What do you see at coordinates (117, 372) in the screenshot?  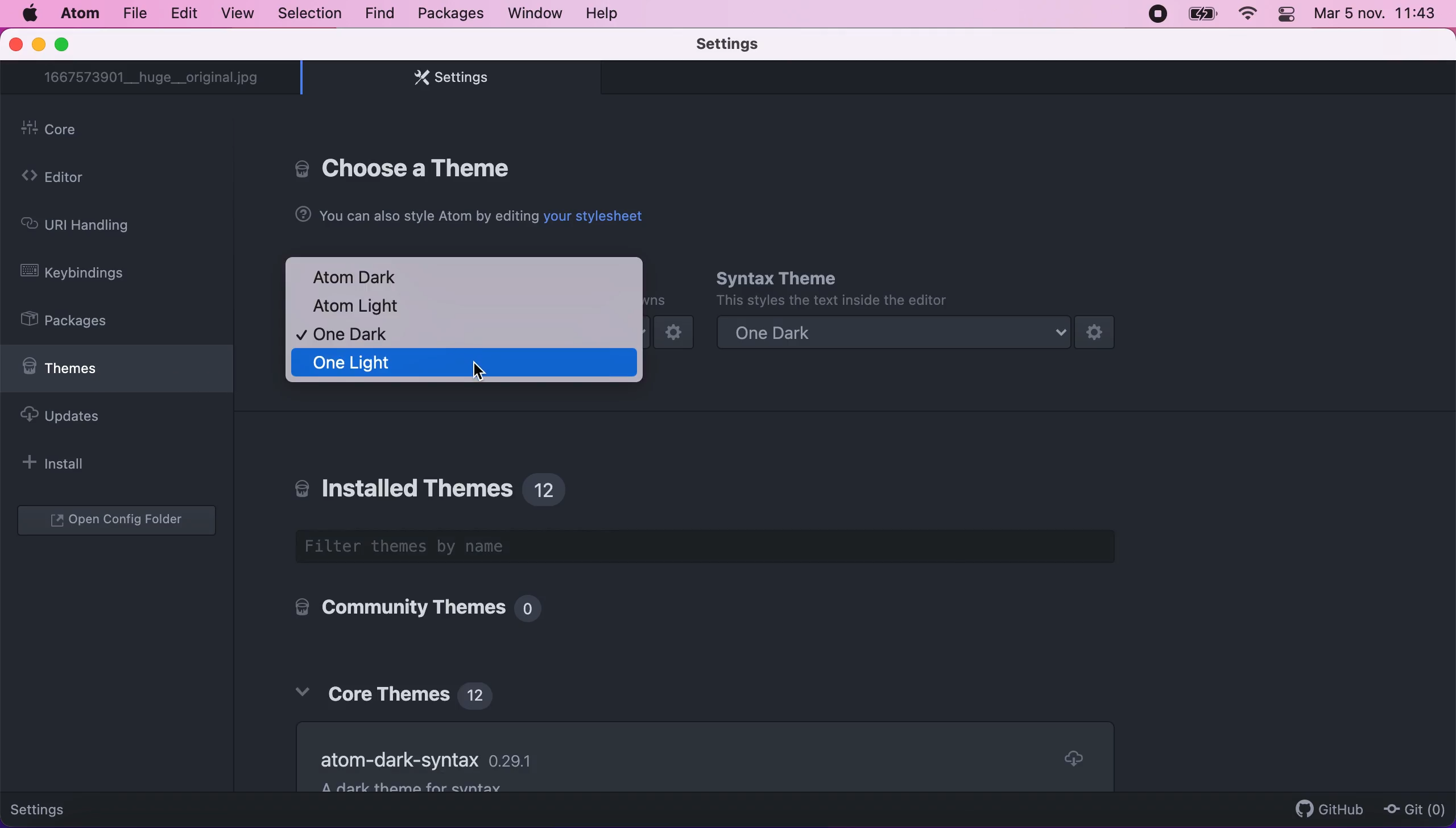 I see `themes` at bounding box center [117, 372].